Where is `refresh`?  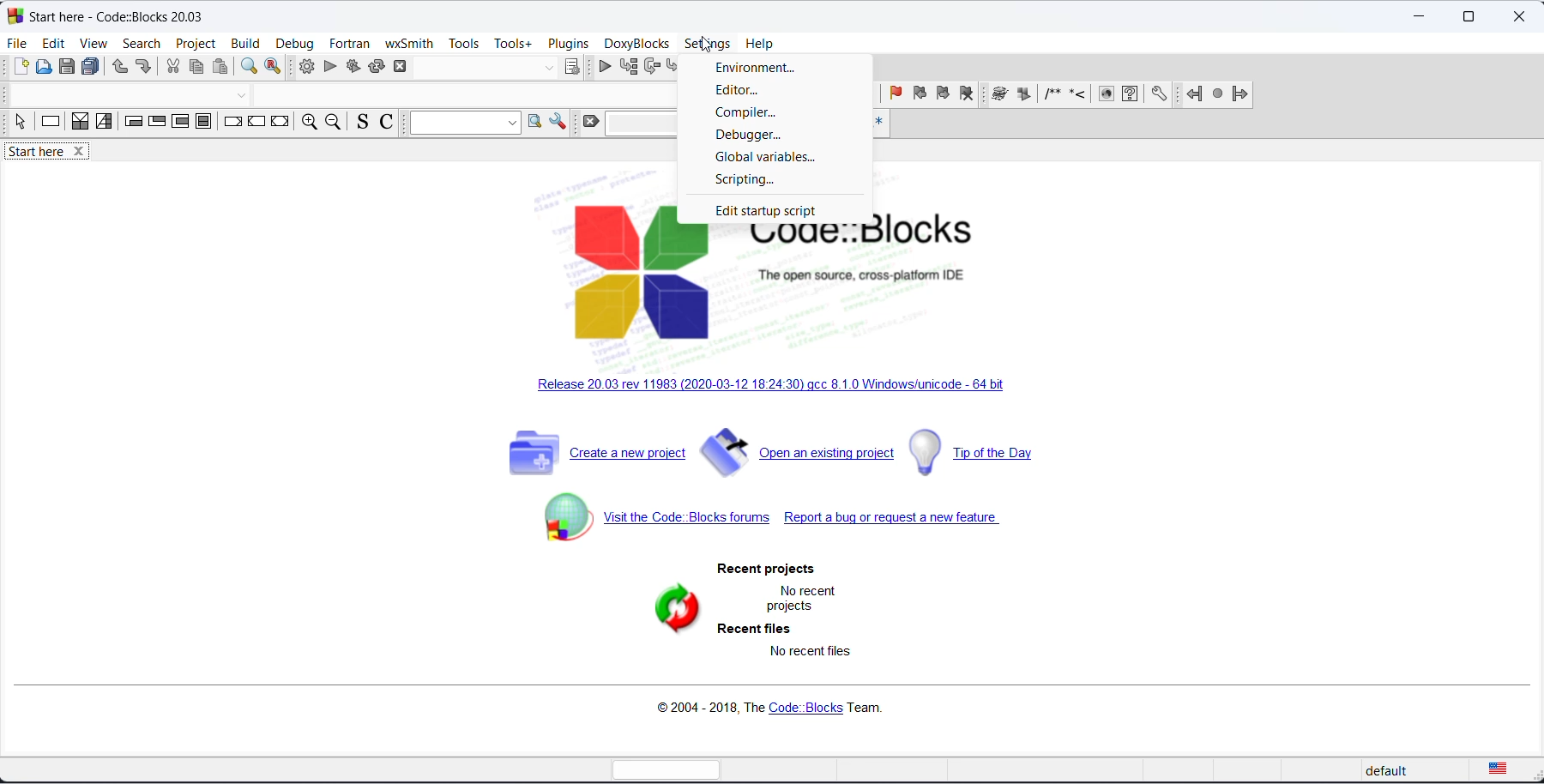 refresh is located at coordinates (674, 613).